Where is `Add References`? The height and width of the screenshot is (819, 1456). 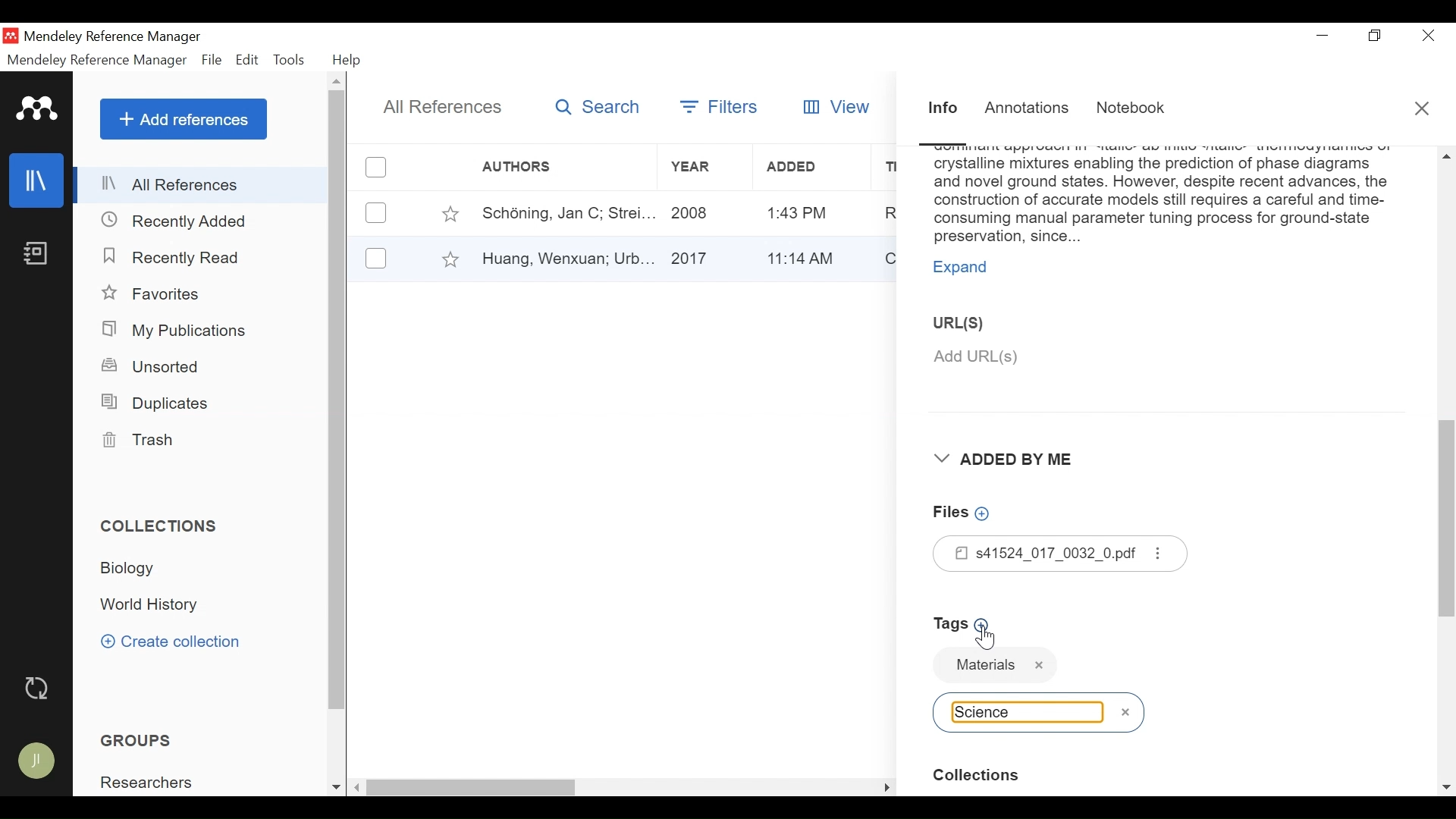 Add References is located at coordinates (184, 119).